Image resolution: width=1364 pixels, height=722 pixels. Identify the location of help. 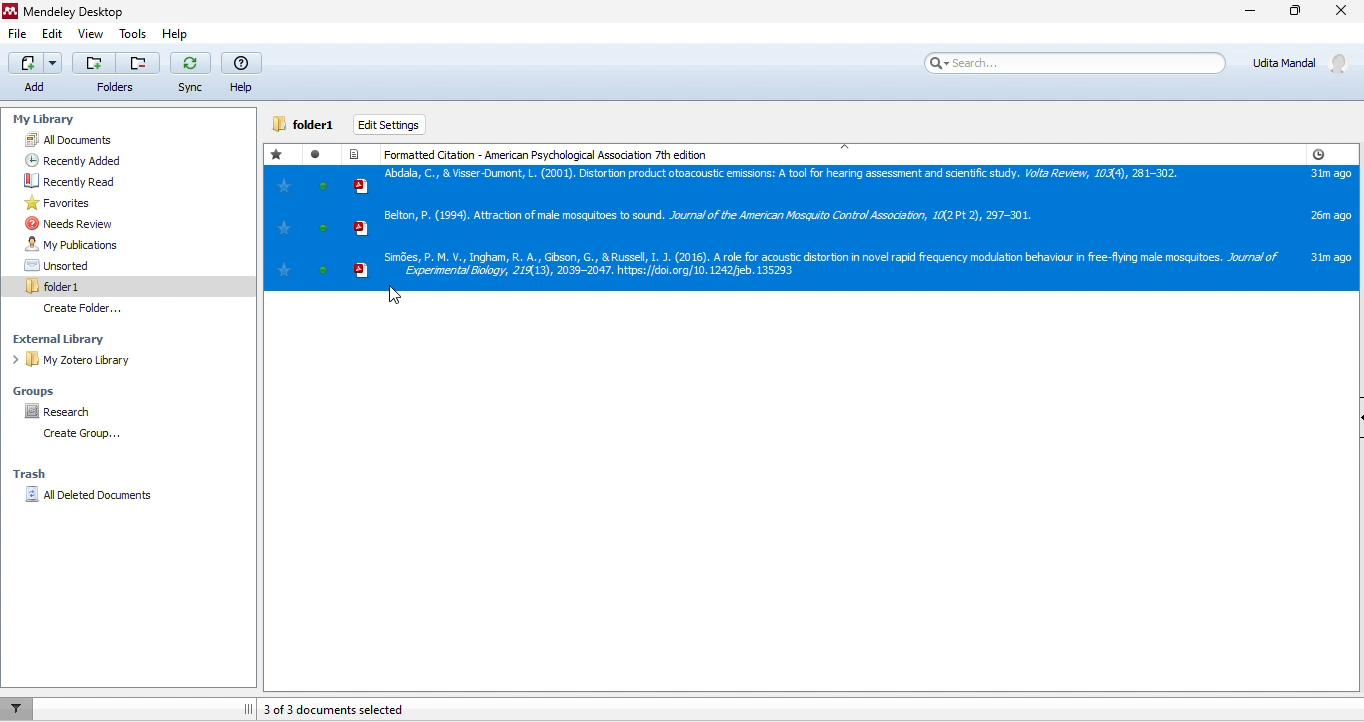
(240, 72).